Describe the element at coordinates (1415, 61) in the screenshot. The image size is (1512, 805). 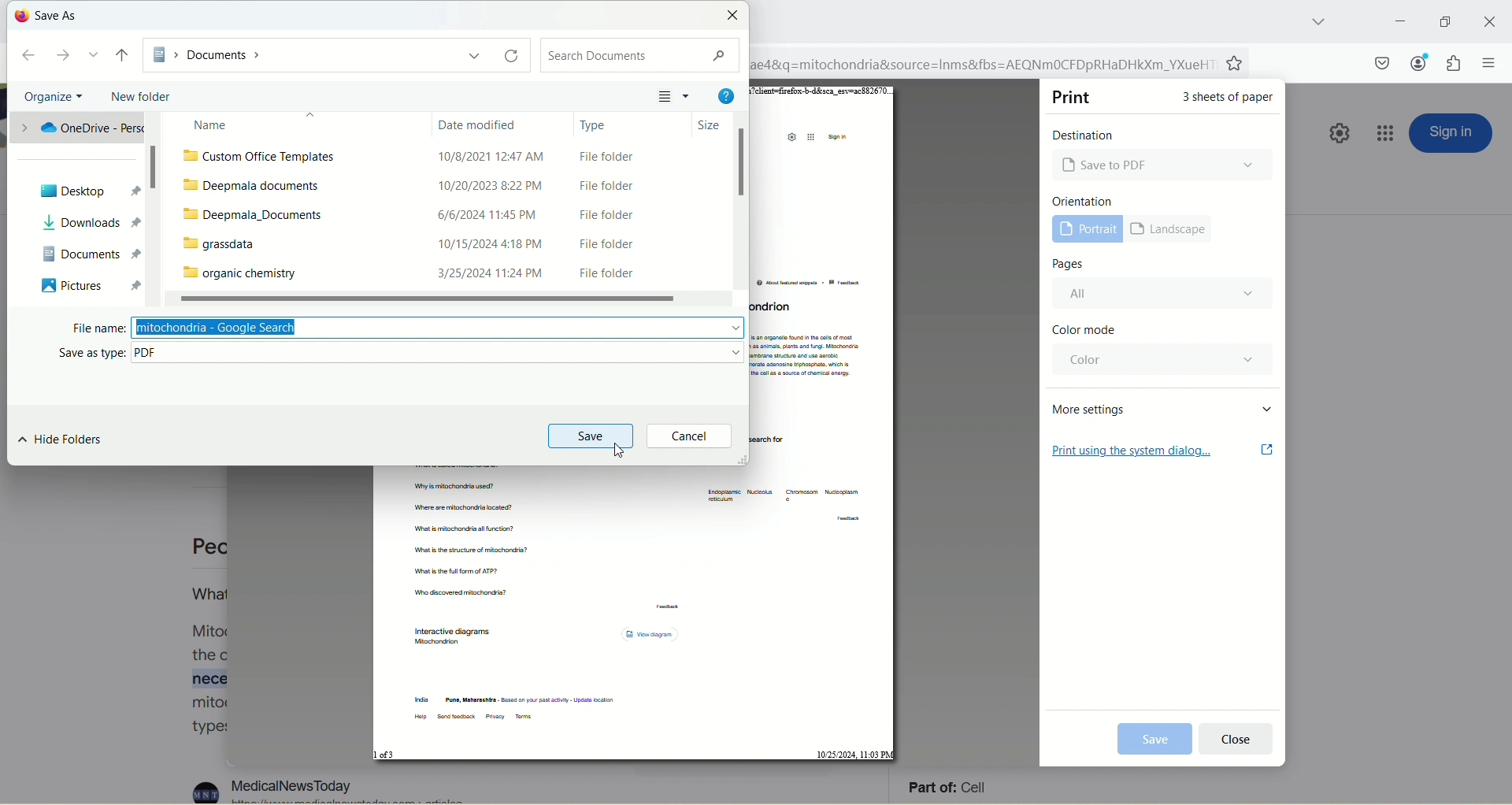
I see `account` at that location.